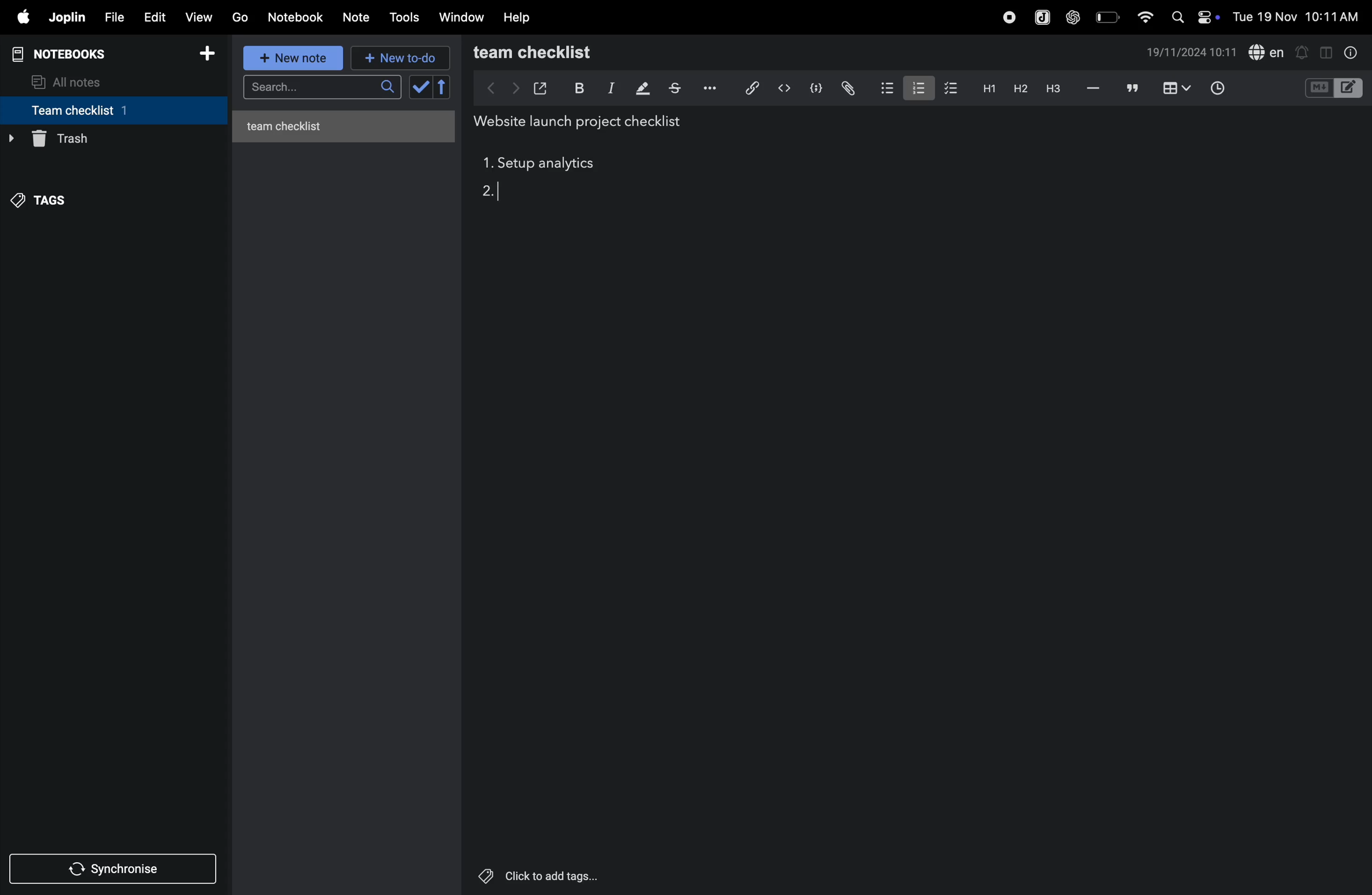 This screenshot has height=895, width=1372. Describe the element at coordinates (952, 89) in the screenshot. I see `checklist` at that location.